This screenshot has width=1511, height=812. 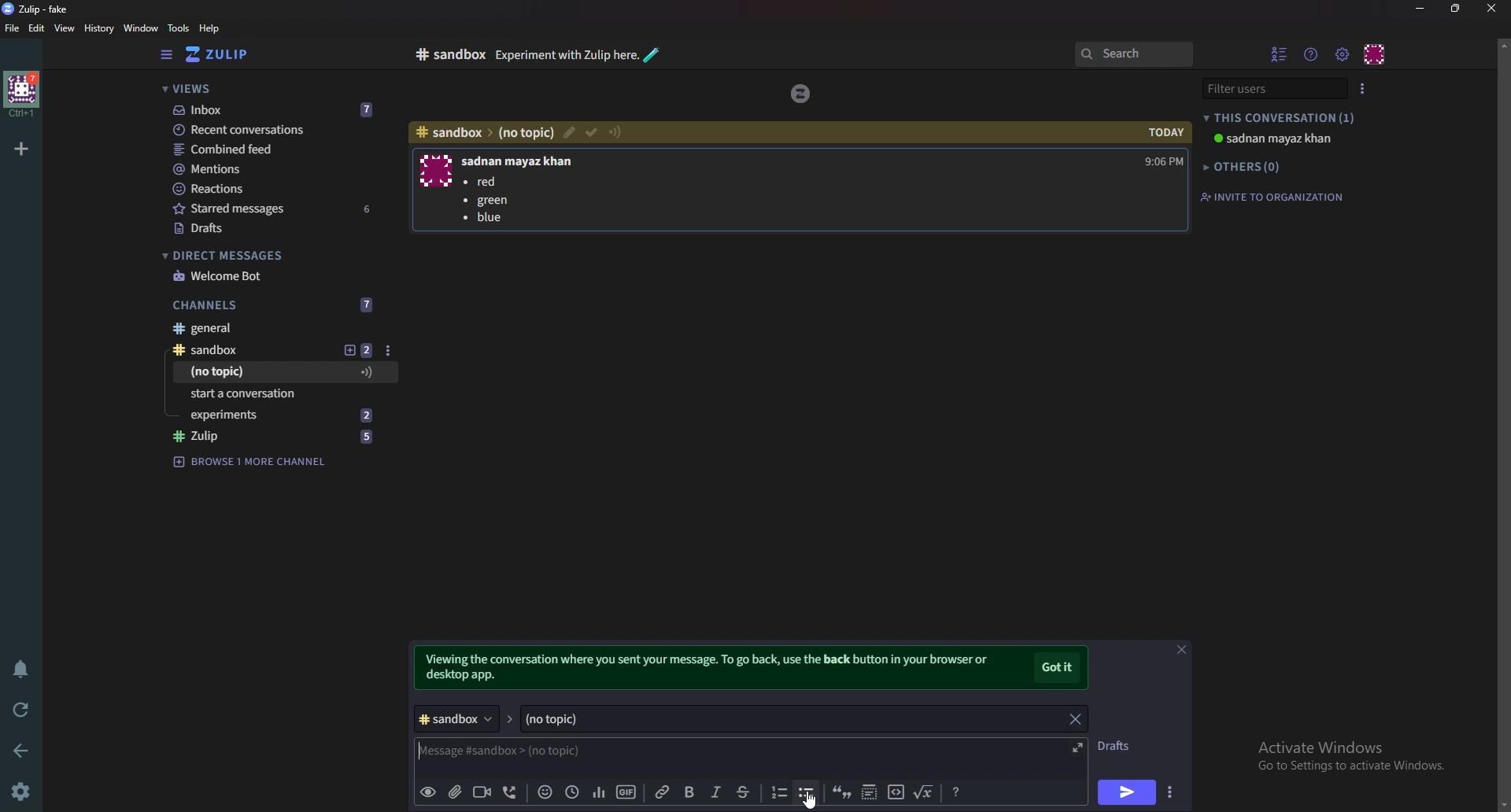 I want to click on code, so click(x=896, y=791).